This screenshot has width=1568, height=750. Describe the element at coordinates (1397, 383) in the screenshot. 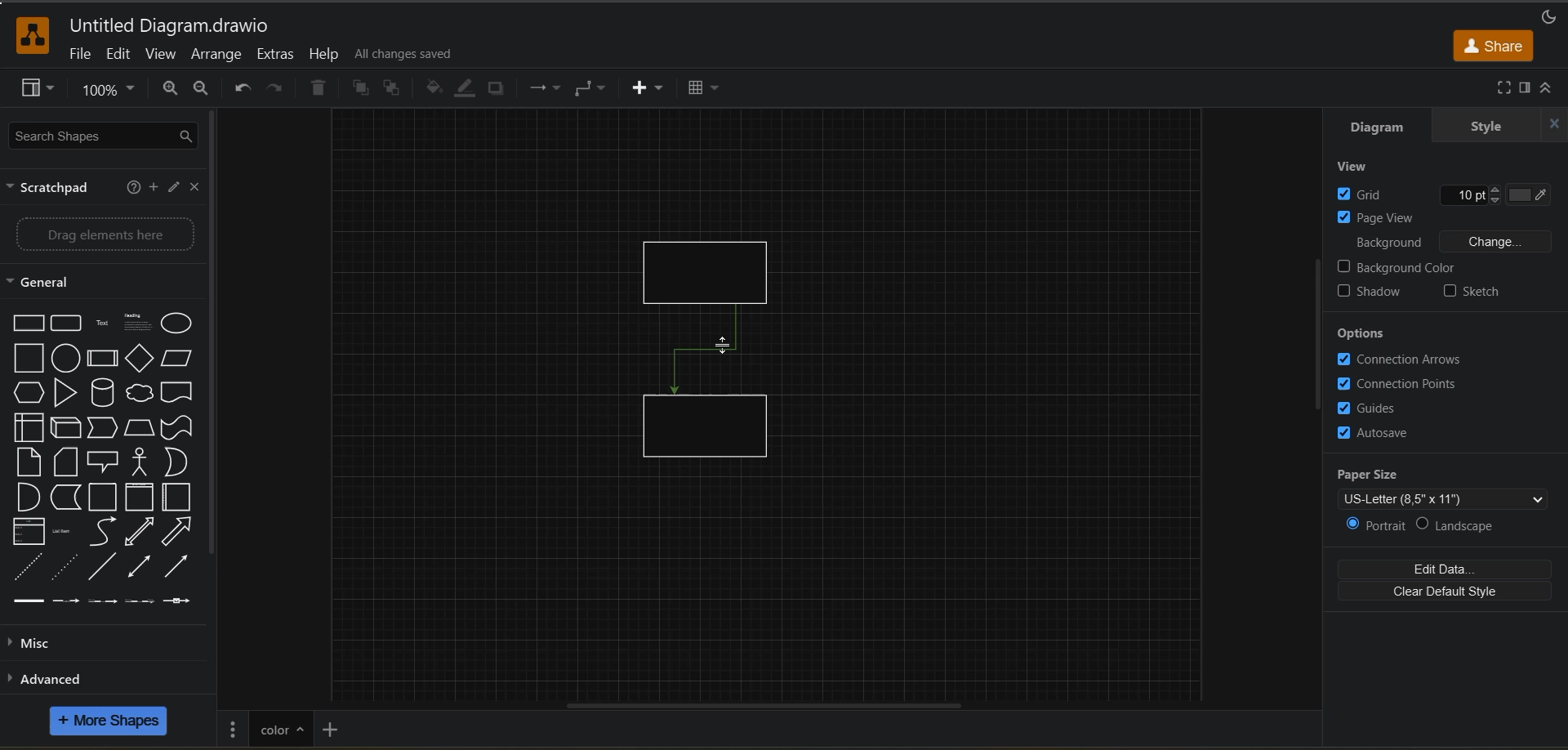

I see `connection points` at that location.